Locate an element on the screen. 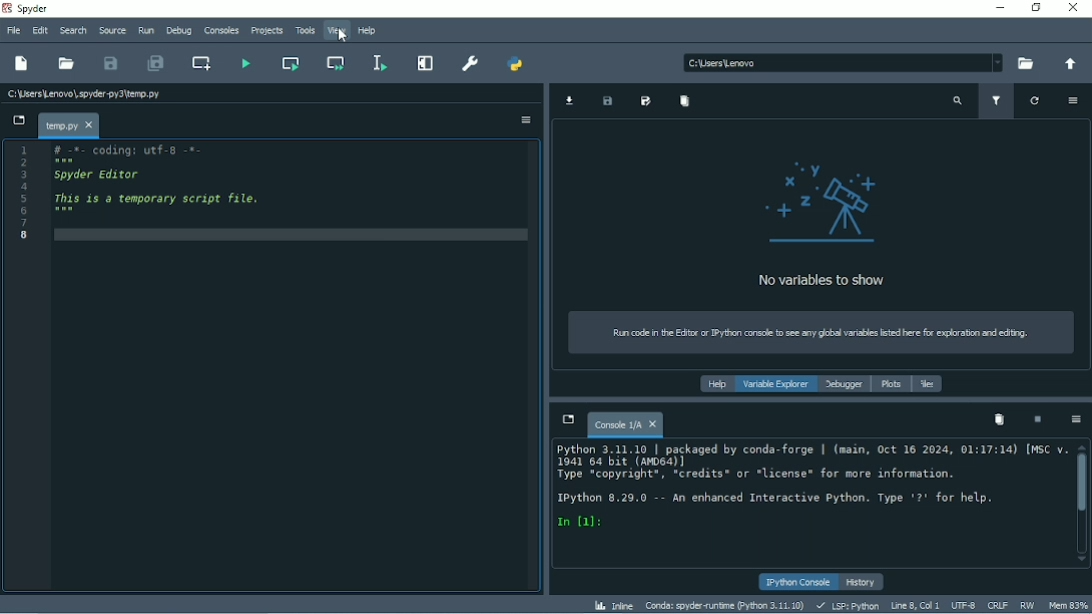  Filter variables is located at coordinates (998, 102).